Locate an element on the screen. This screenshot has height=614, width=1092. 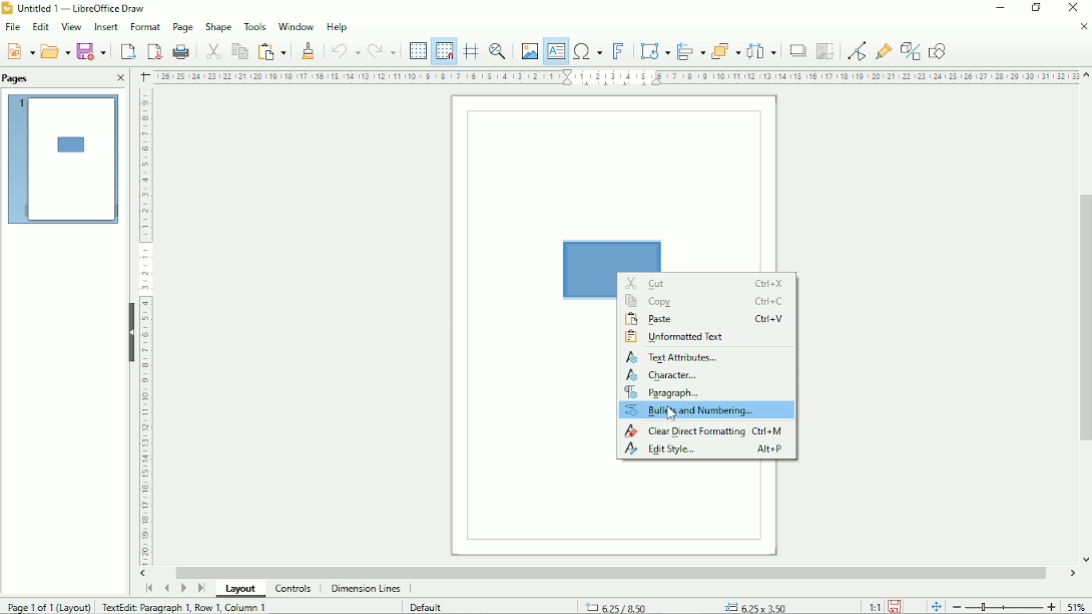
Vertical scrollbar is located at coordinates (1083, 317).